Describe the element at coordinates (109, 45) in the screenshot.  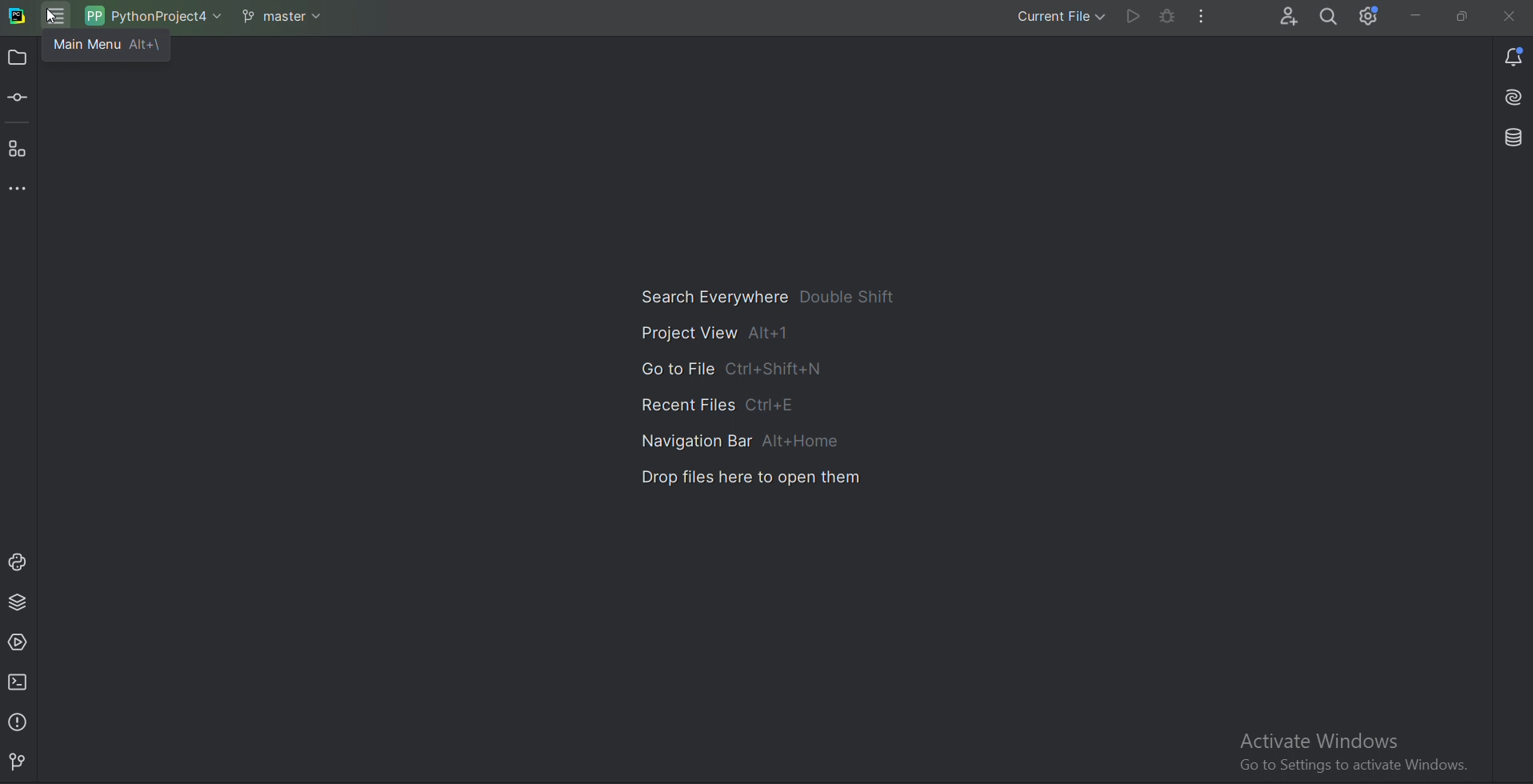
I see `main menu` at that location.